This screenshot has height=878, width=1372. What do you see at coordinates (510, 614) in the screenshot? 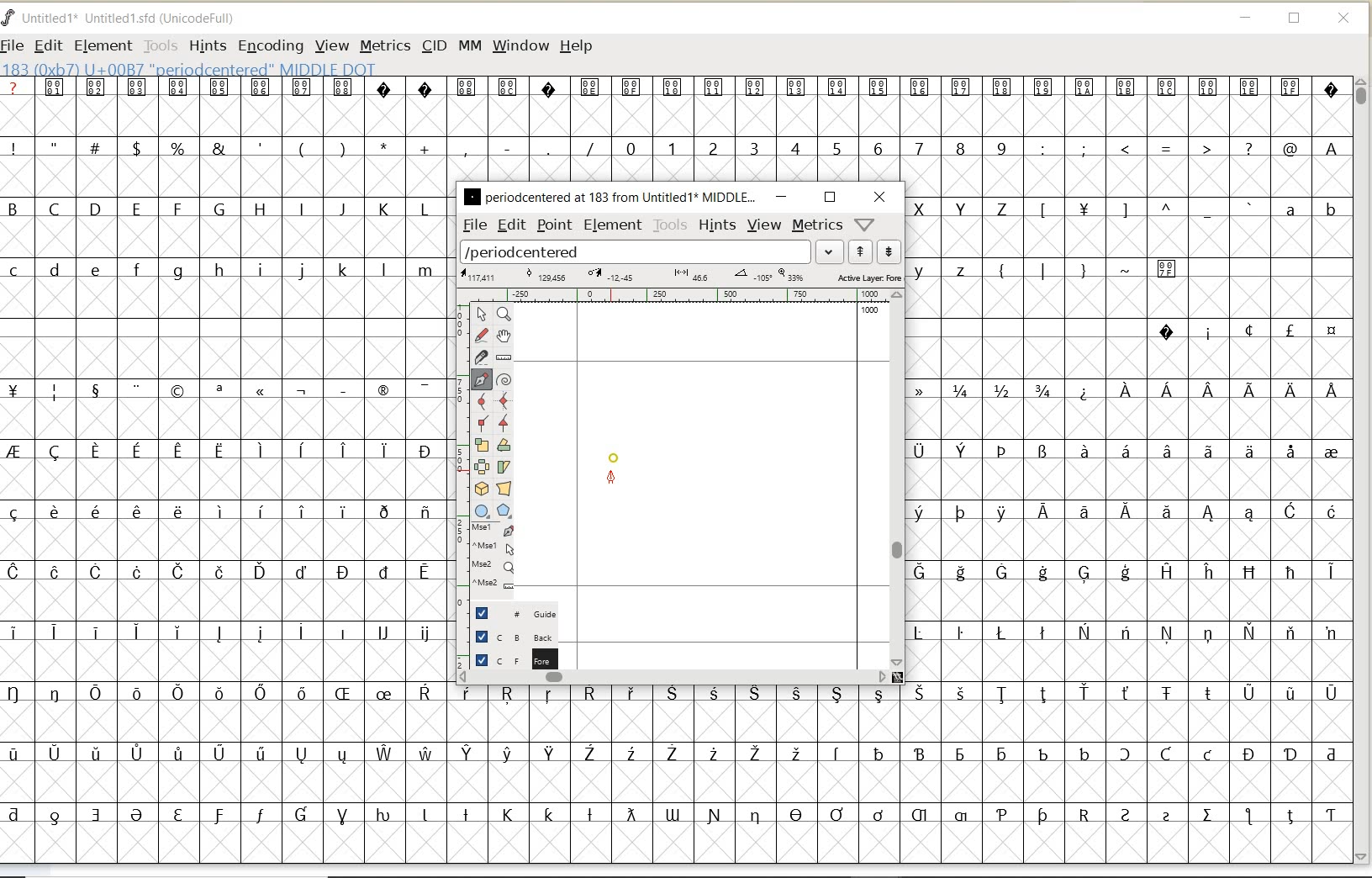
I see `guide` at bounding box center [510, 614].